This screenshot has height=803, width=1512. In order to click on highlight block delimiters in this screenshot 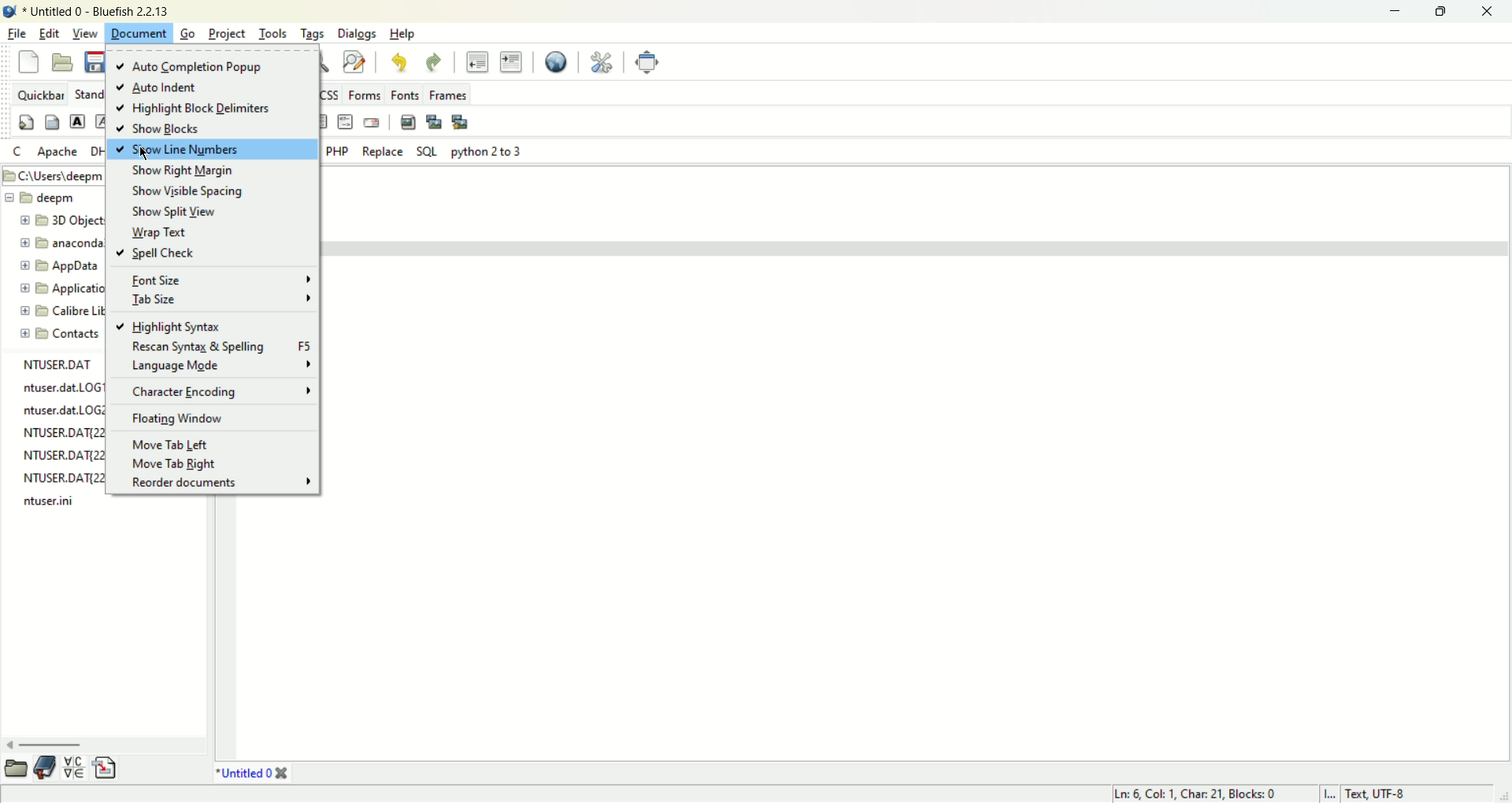, I will do `click(202, 110)`.